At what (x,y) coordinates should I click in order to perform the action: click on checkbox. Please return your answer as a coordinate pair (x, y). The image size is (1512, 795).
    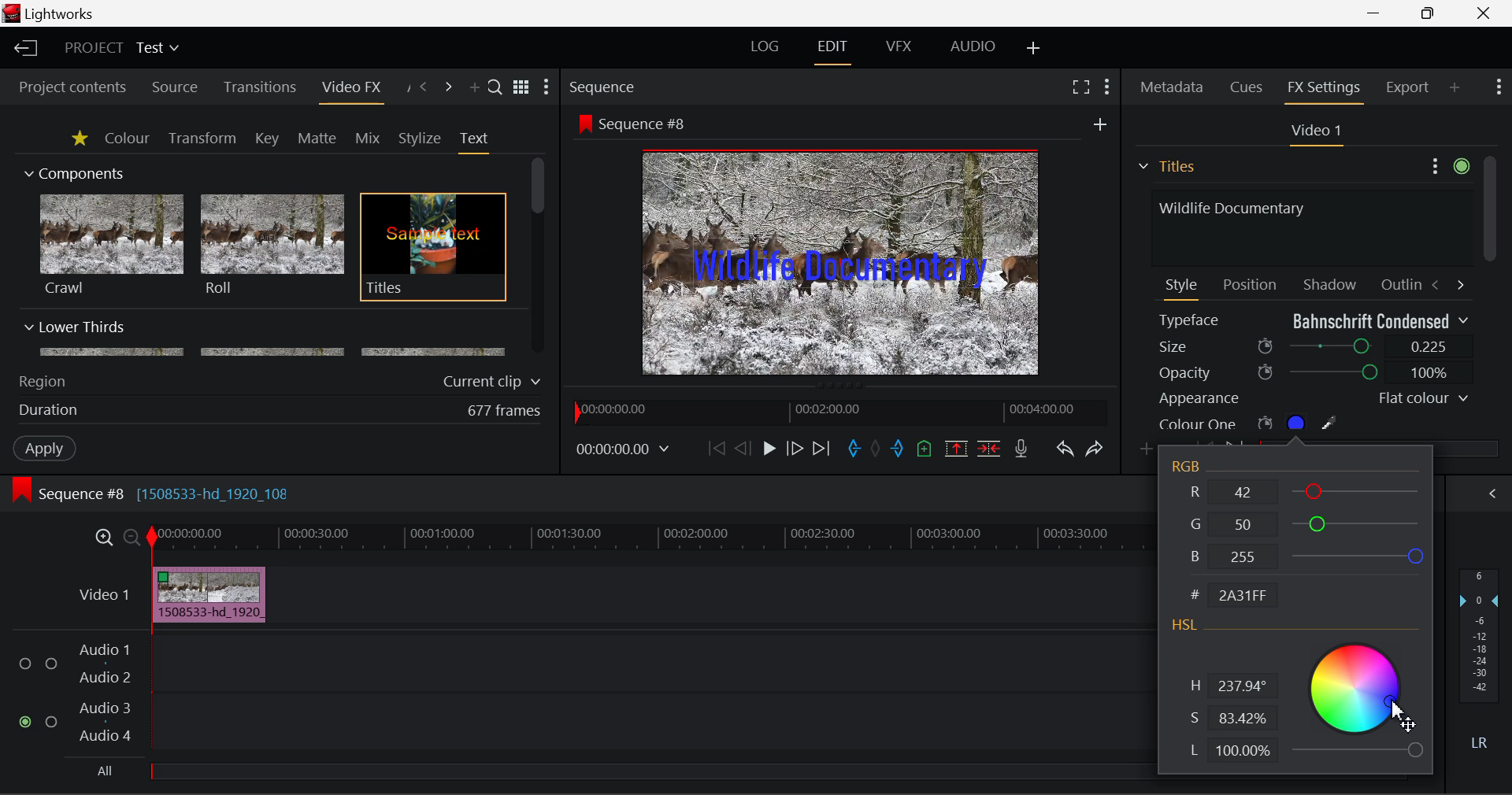
    Looking at the image, I should click on (28, 664).